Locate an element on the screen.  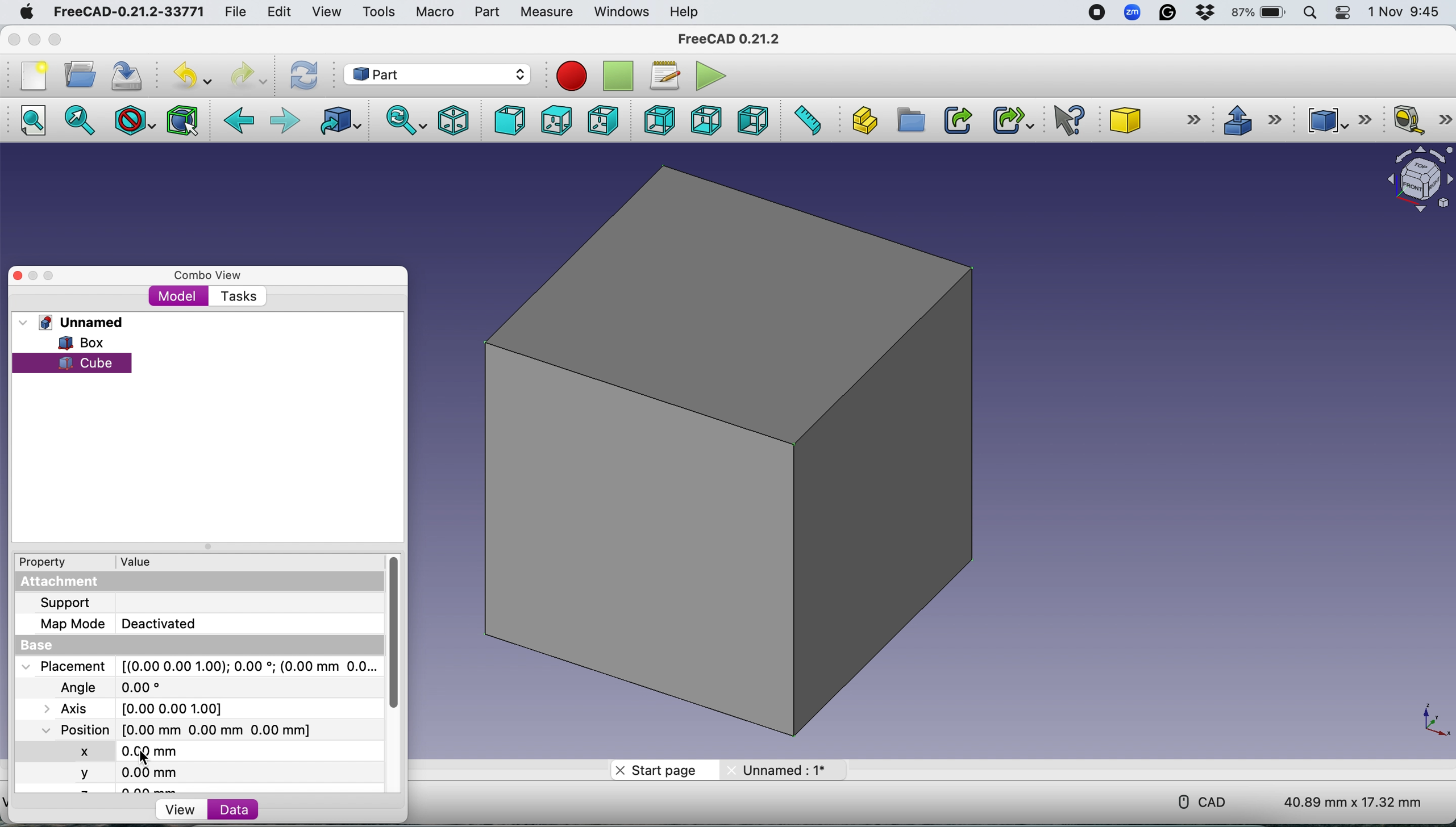
Angle 0.00 is located at coordinates (119, 688).